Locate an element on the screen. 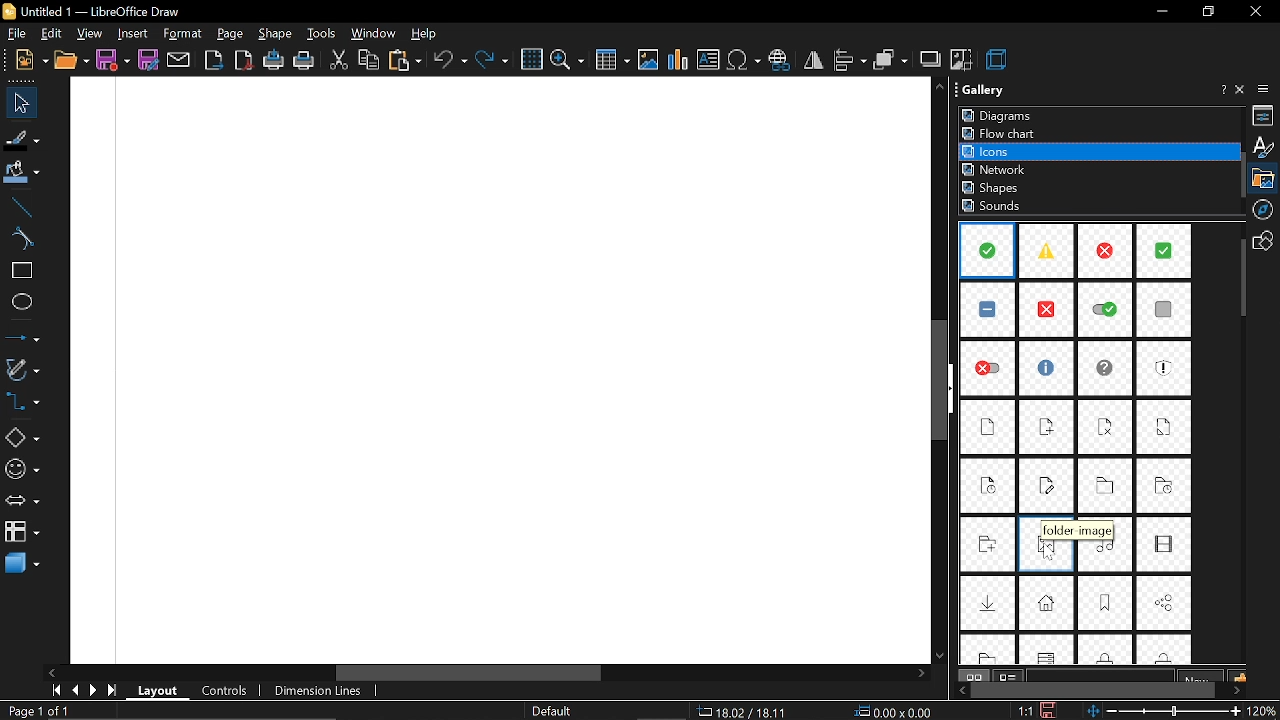 This screenshot has height=720, width=1280. grid is located at coordinates (531, 59).